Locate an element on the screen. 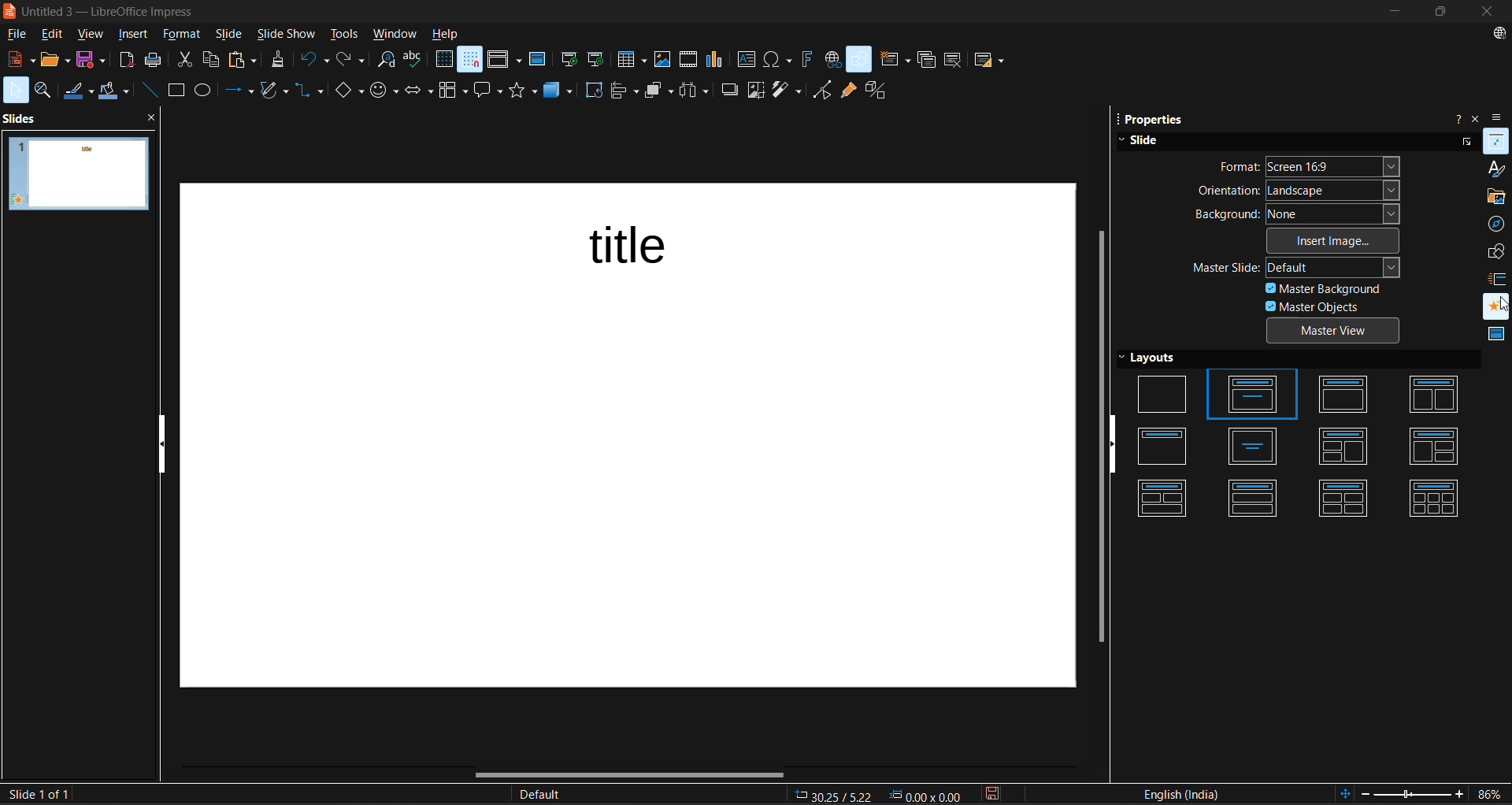 Image resolution: width=1512 pixels, height=805 pixels. help is located at coordinates (447, 35).